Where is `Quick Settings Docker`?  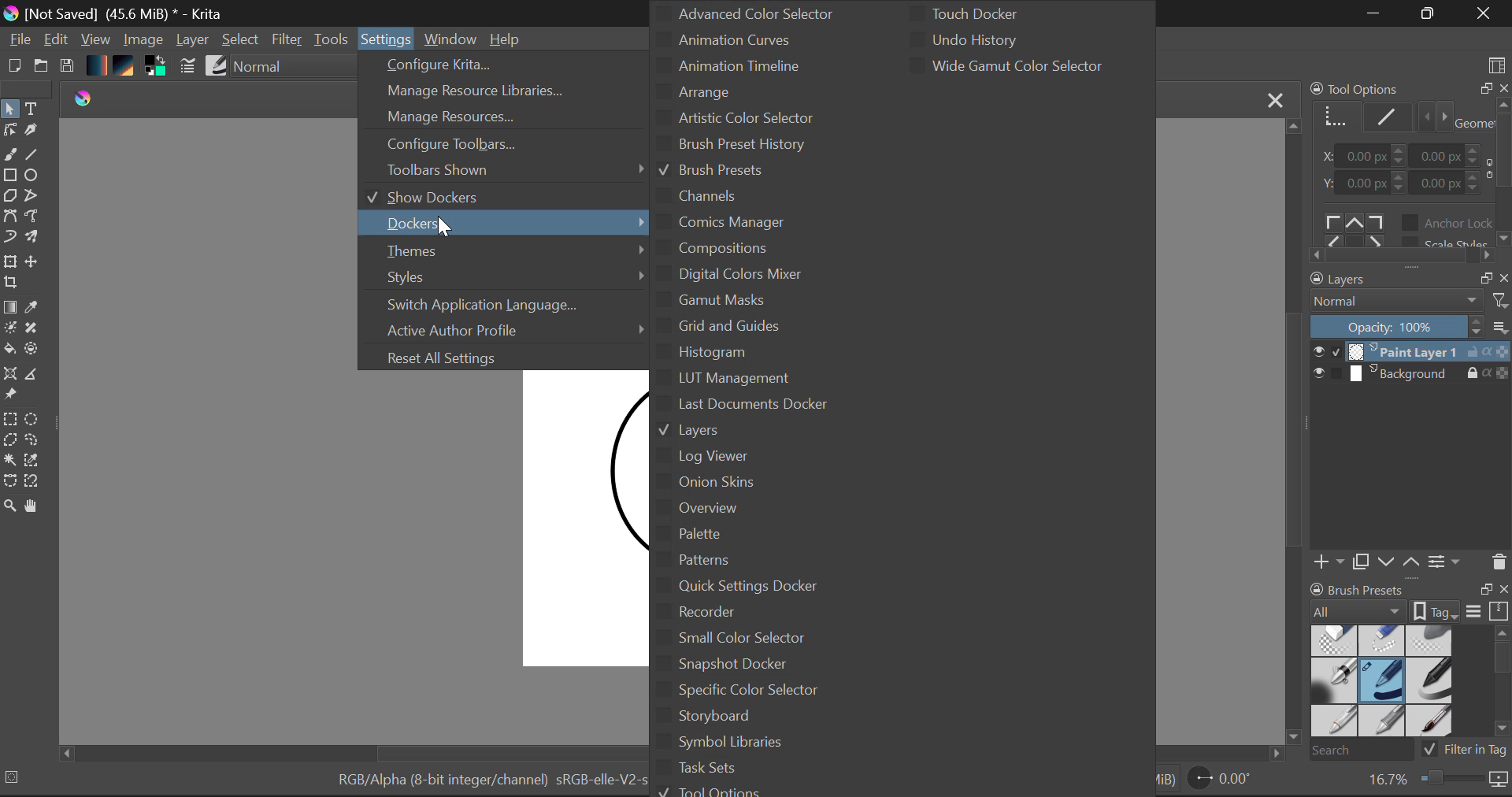 Quick Settings Docker is located at coordinates (765, 588).